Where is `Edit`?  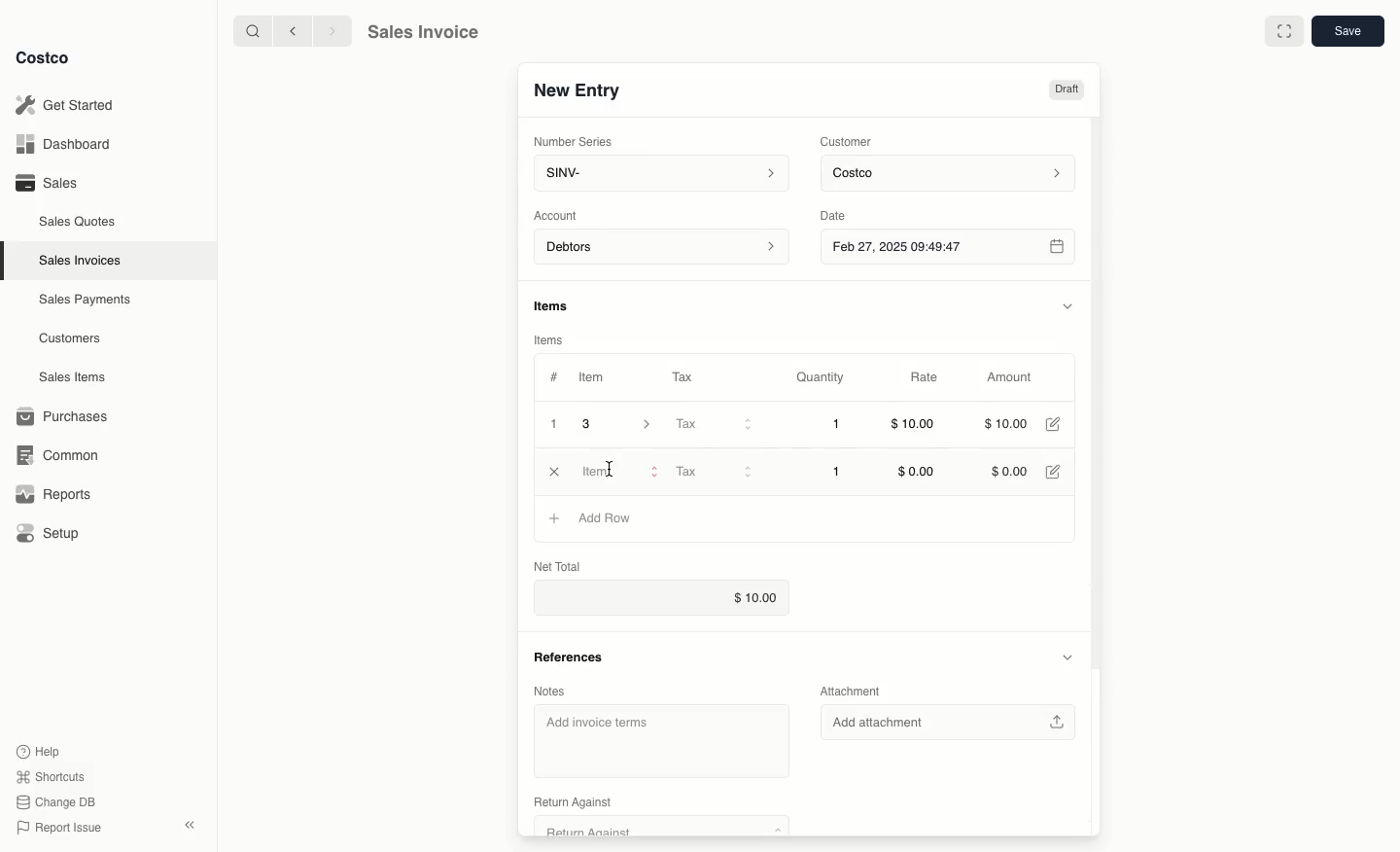 Edit is located at coordinates (1056, 424).